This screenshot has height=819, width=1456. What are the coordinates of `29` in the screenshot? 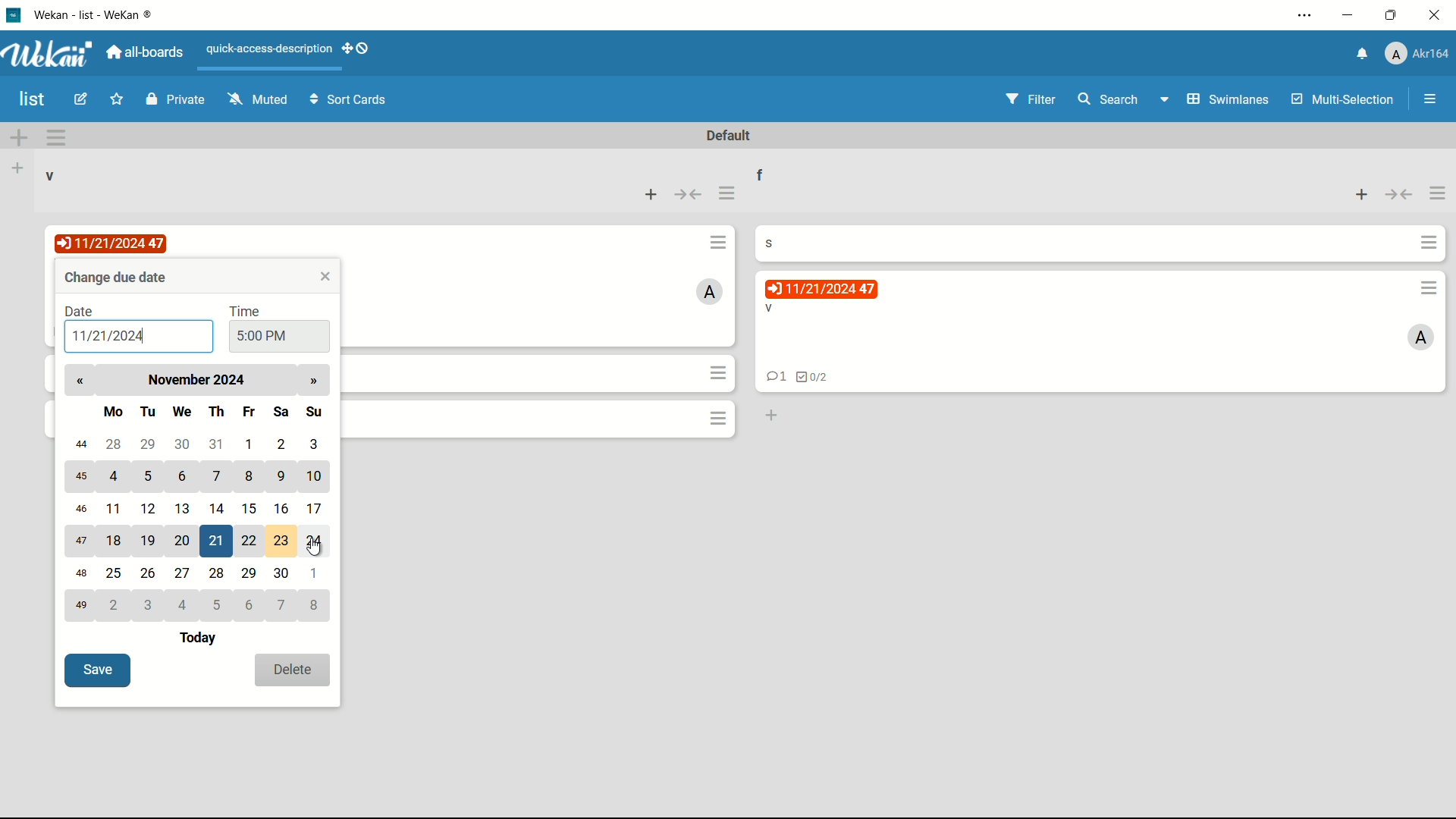 It's located at (149, 444).